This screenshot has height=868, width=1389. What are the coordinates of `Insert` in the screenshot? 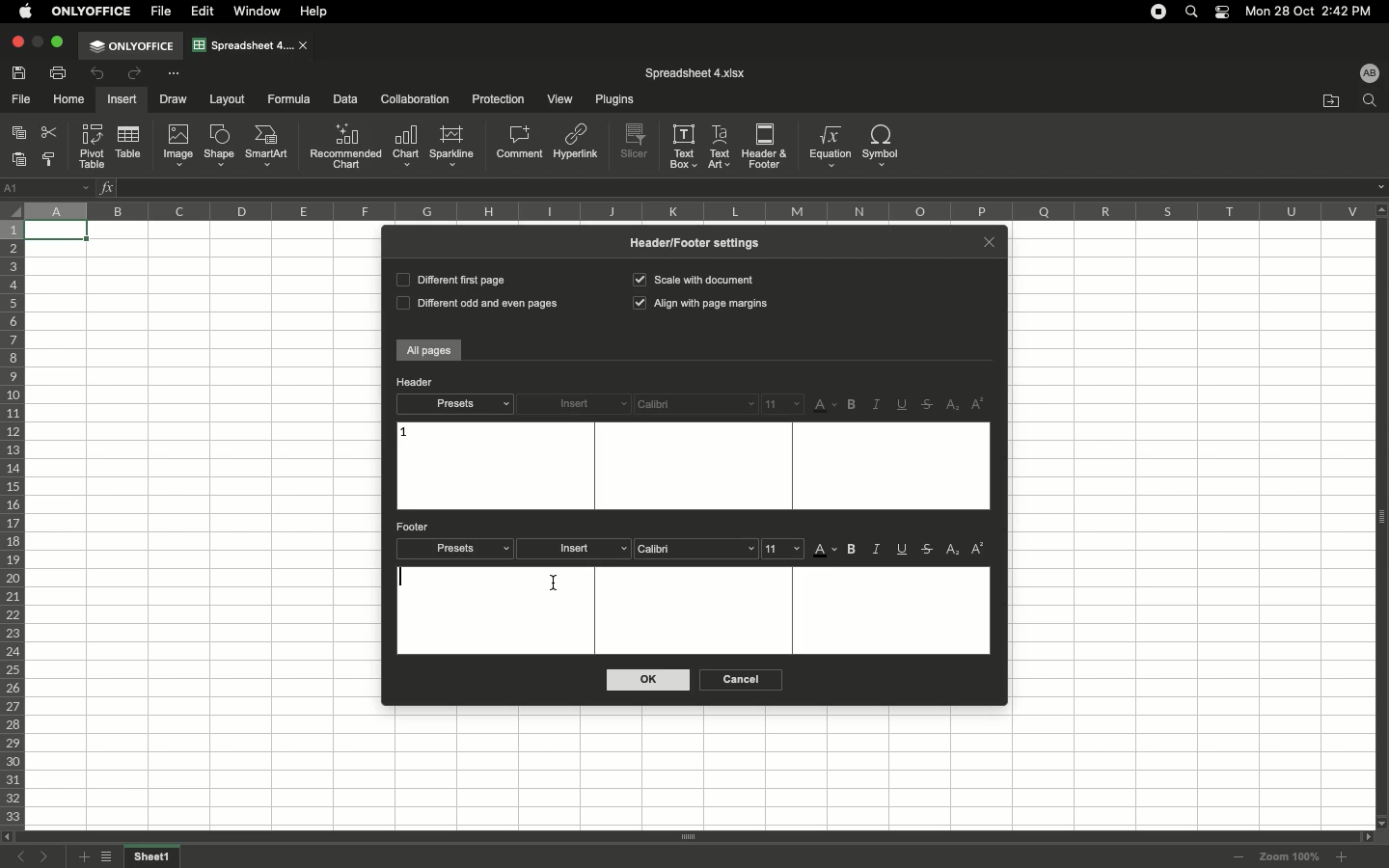 It's located at (575, 405).